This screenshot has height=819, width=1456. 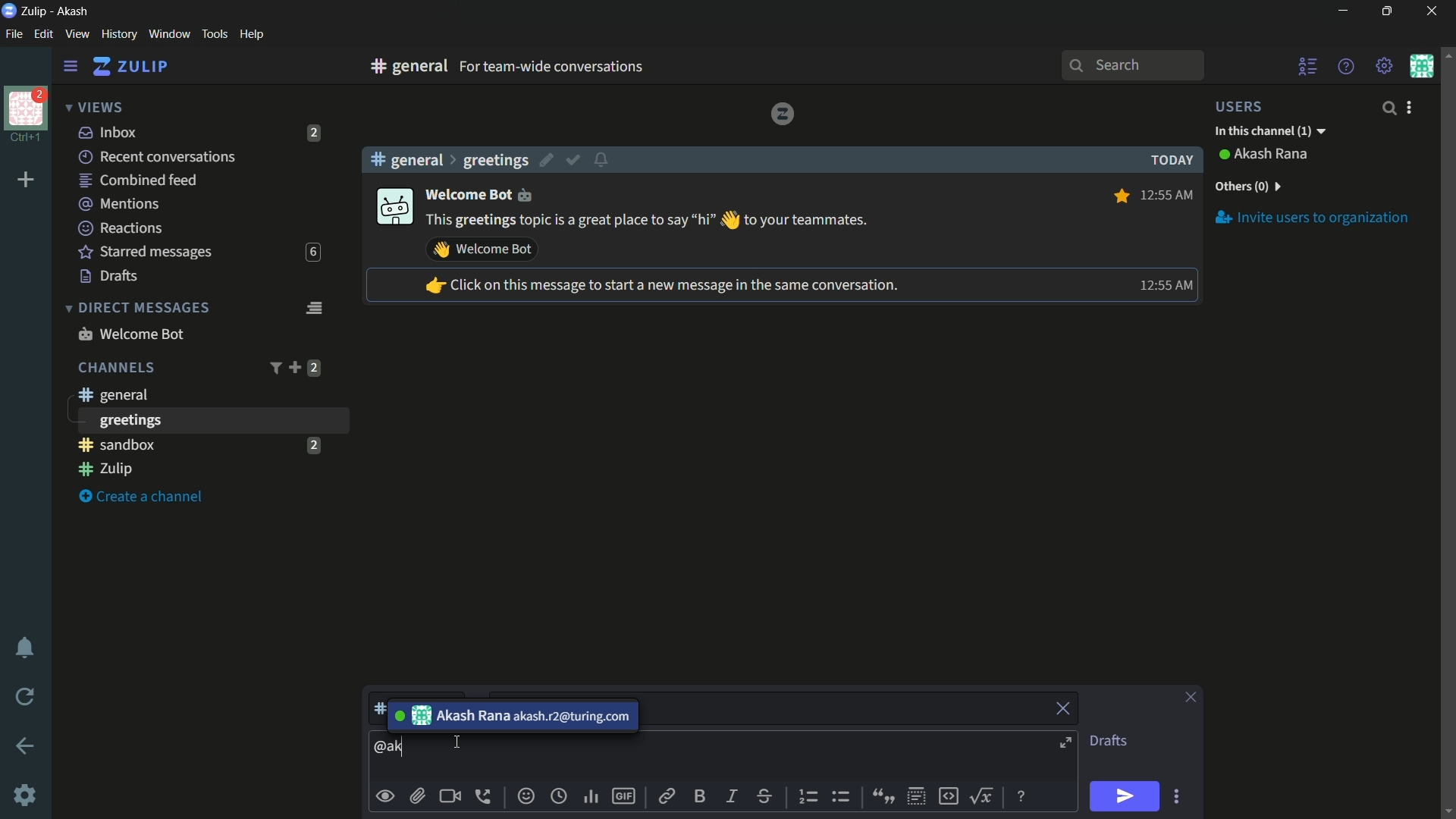 What do you see at coordinates (548, 162) in the screenshot?
I see `edit topic` at bounding box center [548, 162].